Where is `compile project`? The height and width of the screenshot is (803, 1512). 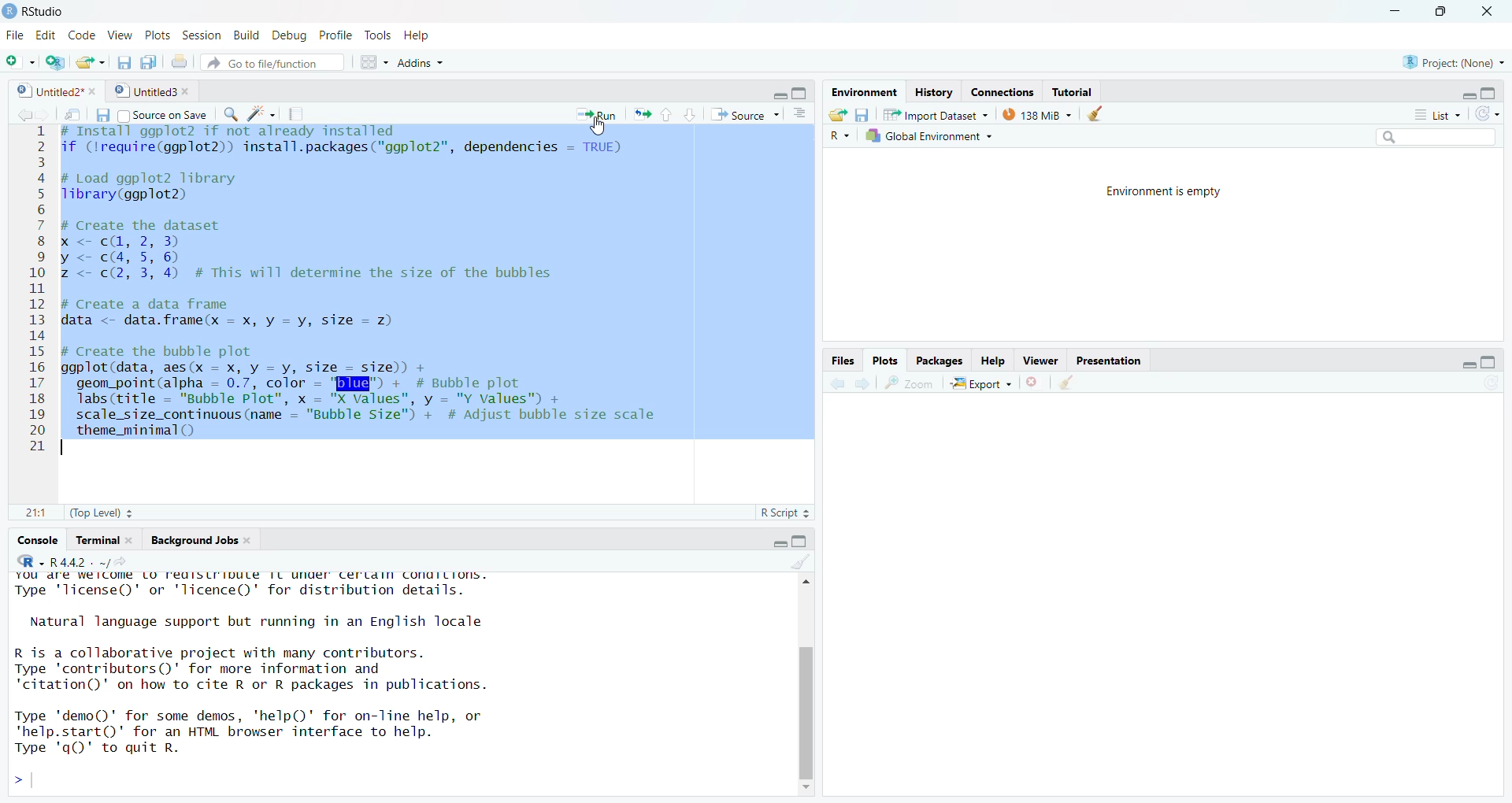 compile project is located at coordinates (302, 113).